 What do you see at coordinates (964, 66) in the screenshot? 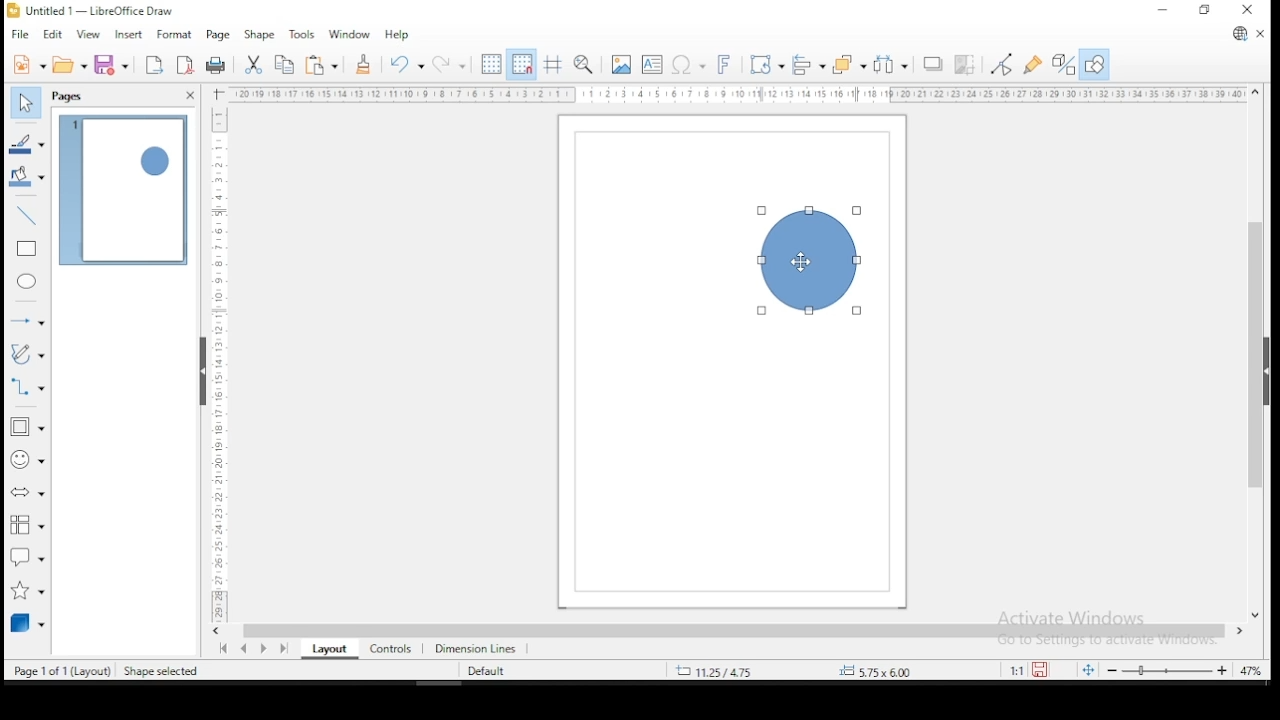
I see `crop` at bounding box center [964, 66].